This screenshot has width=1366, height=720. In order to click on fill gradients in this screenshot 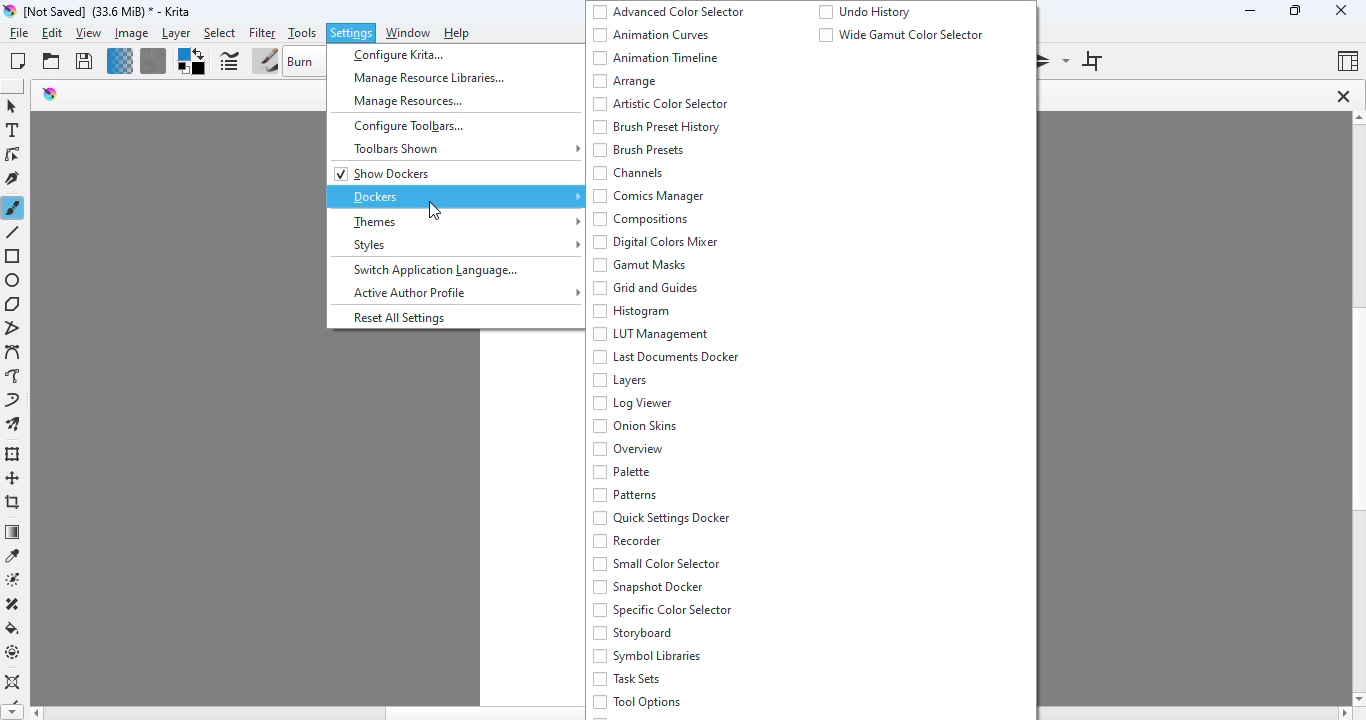, I will do `click(120, 61)`.